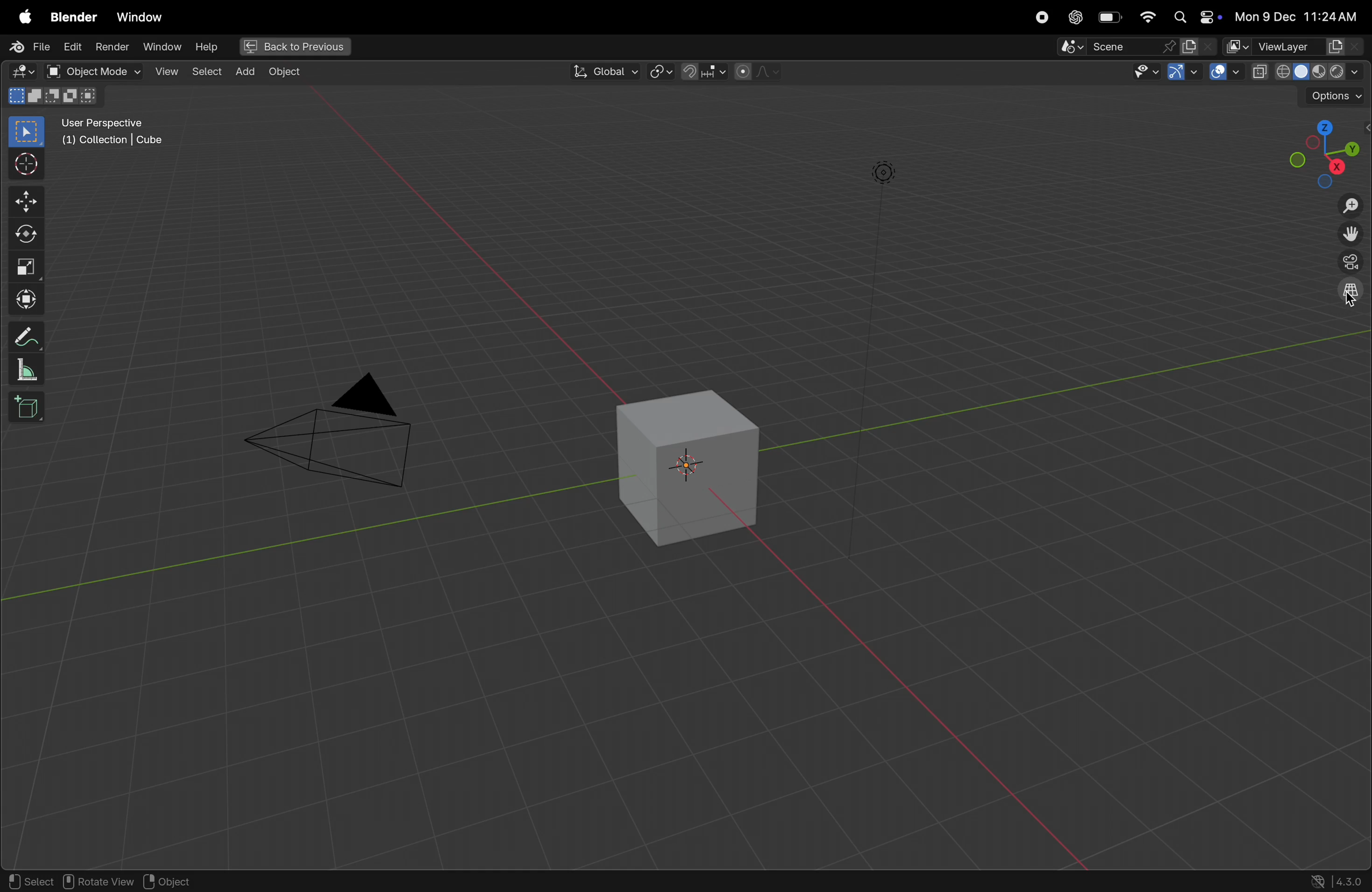 The width and height of the screenshot is (1372, 892). What do you see at coordinates (29, 373) in the screenshot?
I see `measure ` at bounding box center [29, 373].